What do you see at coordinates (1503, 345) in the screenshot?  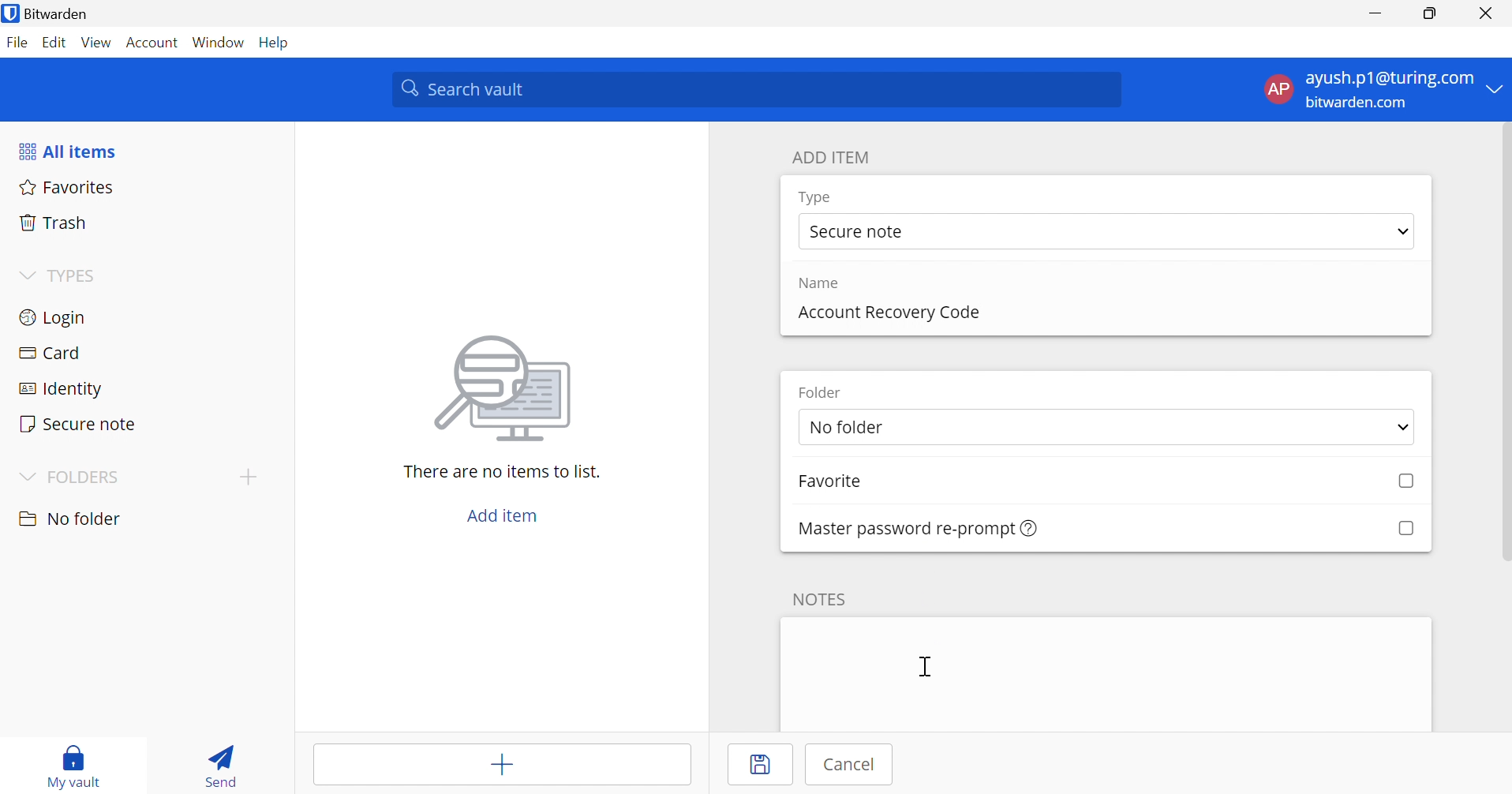 I see `Vertical scrollbar` at bounding box center [1503, 345].